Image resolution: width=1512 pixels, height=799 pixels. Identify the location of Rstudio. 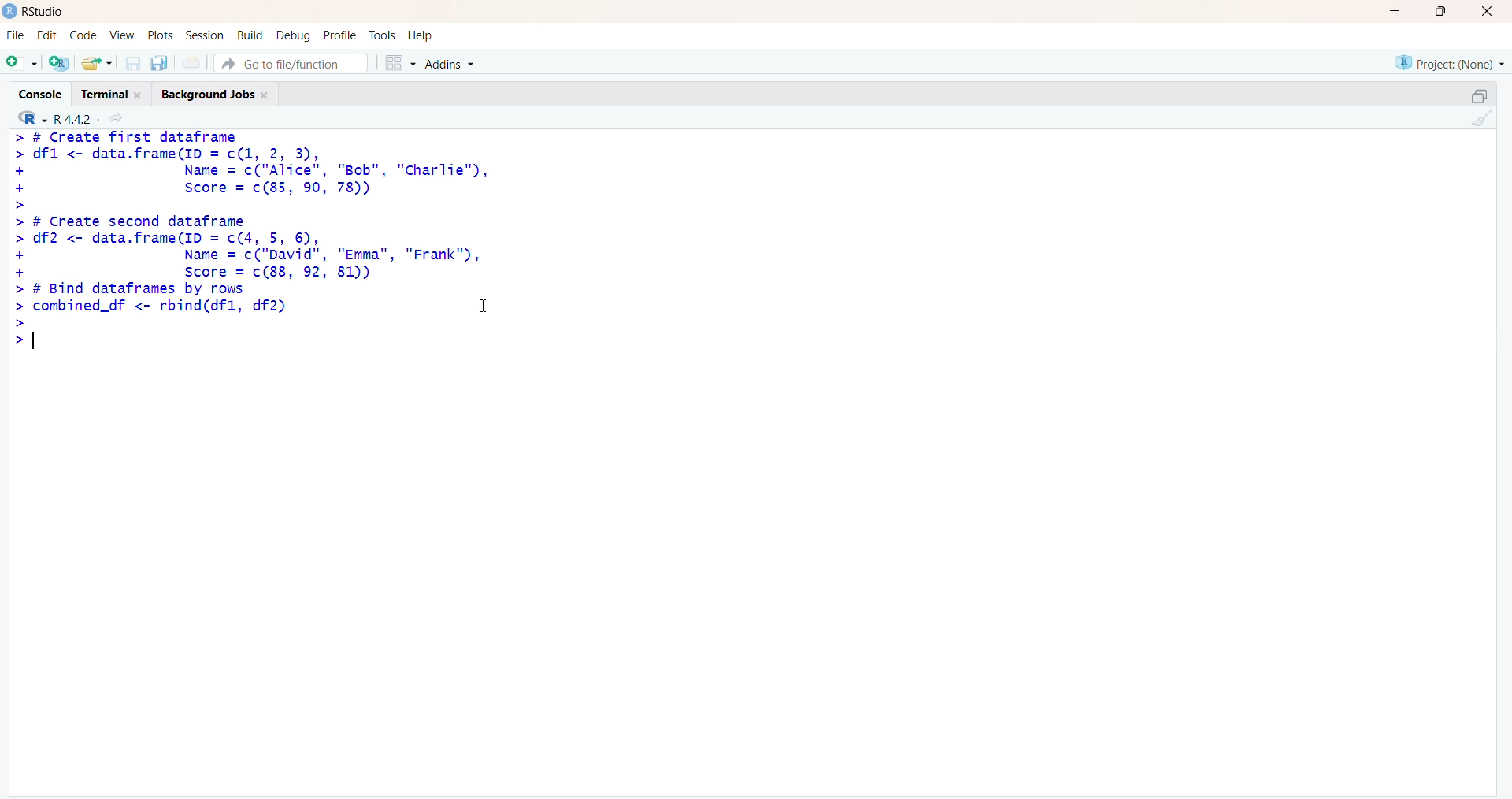
(44, 11).